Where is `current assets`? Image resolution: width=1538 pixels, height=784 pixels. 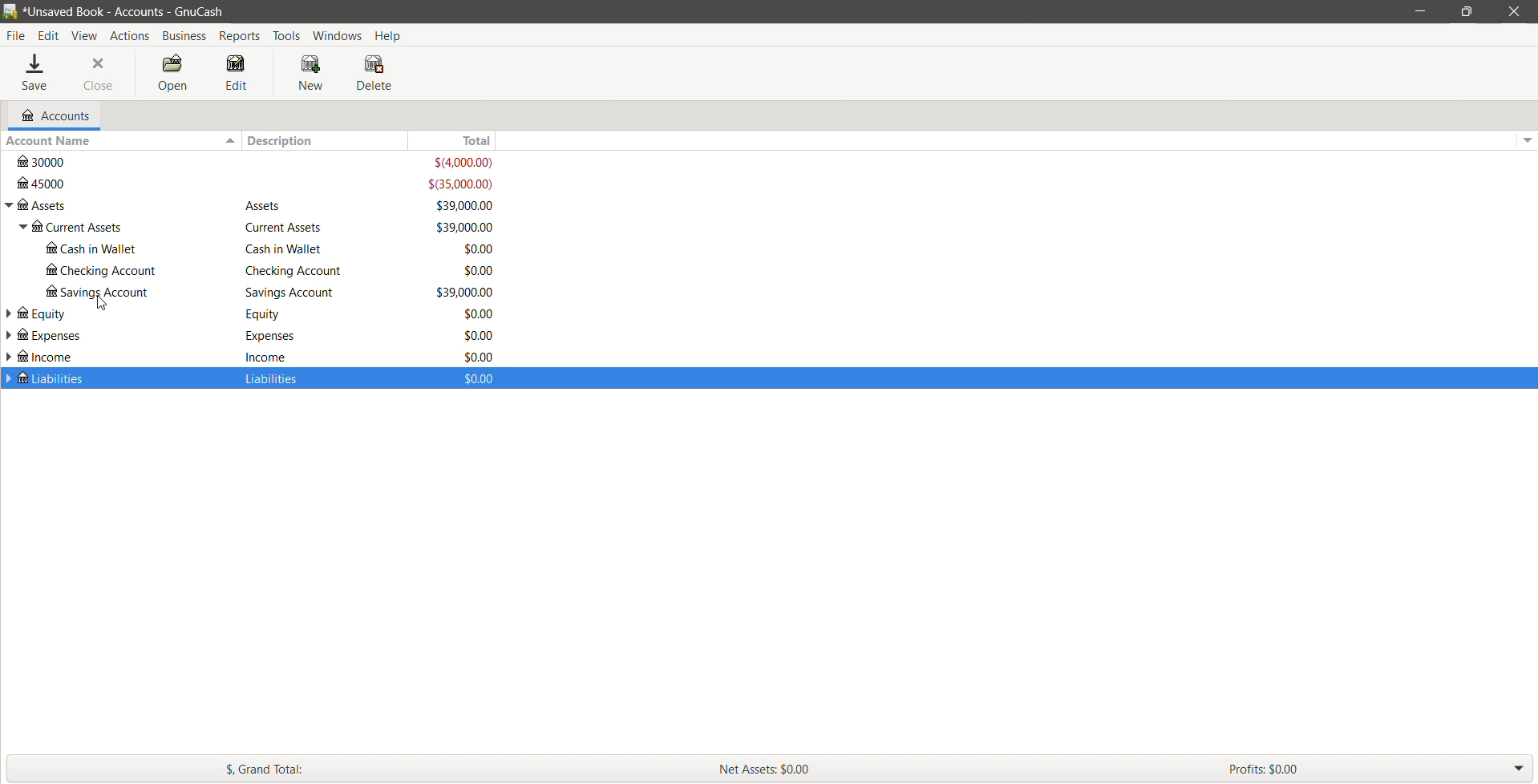
current assets is located at coordinates (79, 227).